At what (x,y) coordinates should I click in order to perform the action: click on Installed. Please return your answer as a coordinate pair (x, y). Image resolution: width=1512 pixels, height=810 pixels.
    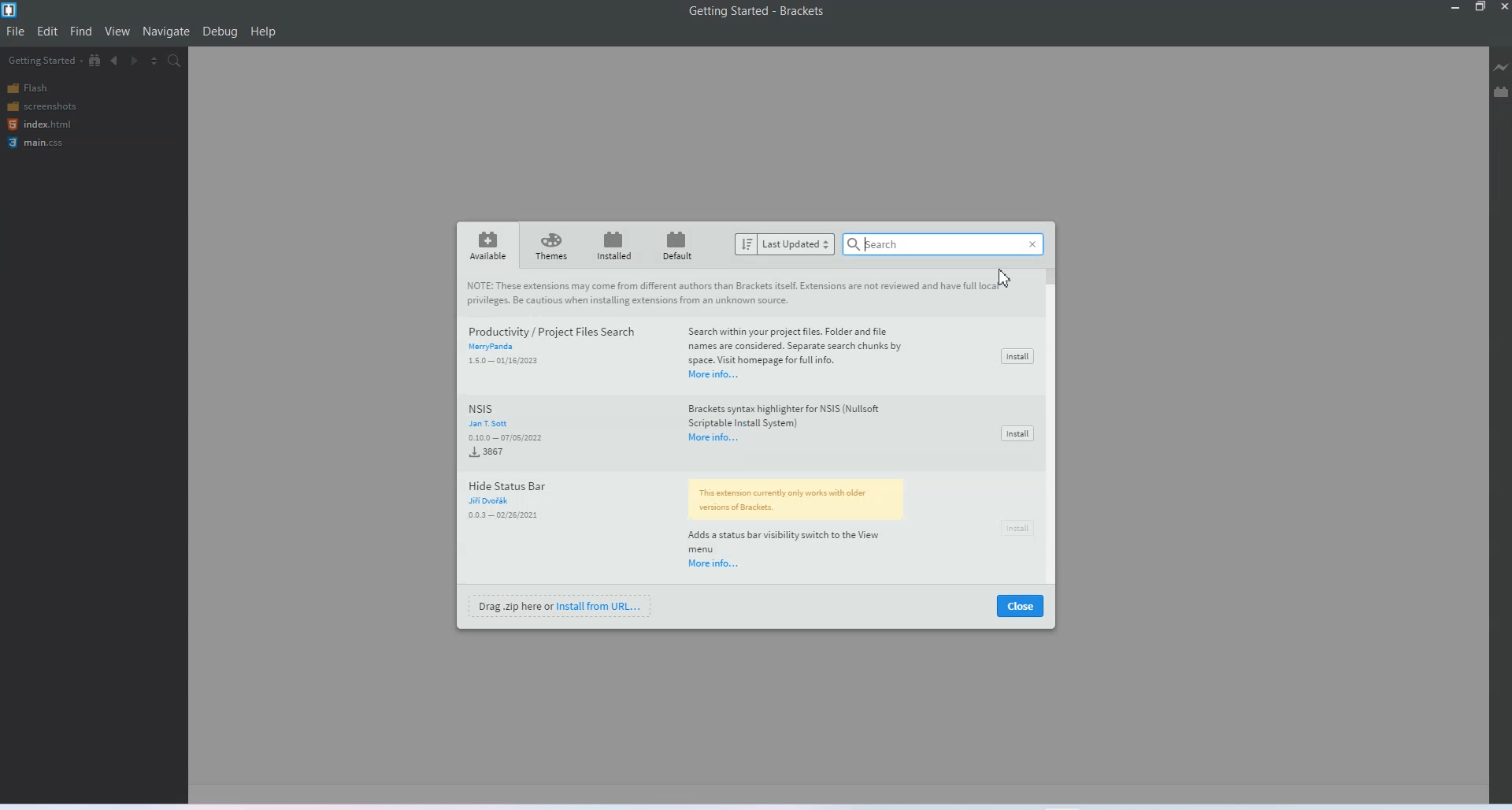
    Looking at the image, I should click on (612, 245).